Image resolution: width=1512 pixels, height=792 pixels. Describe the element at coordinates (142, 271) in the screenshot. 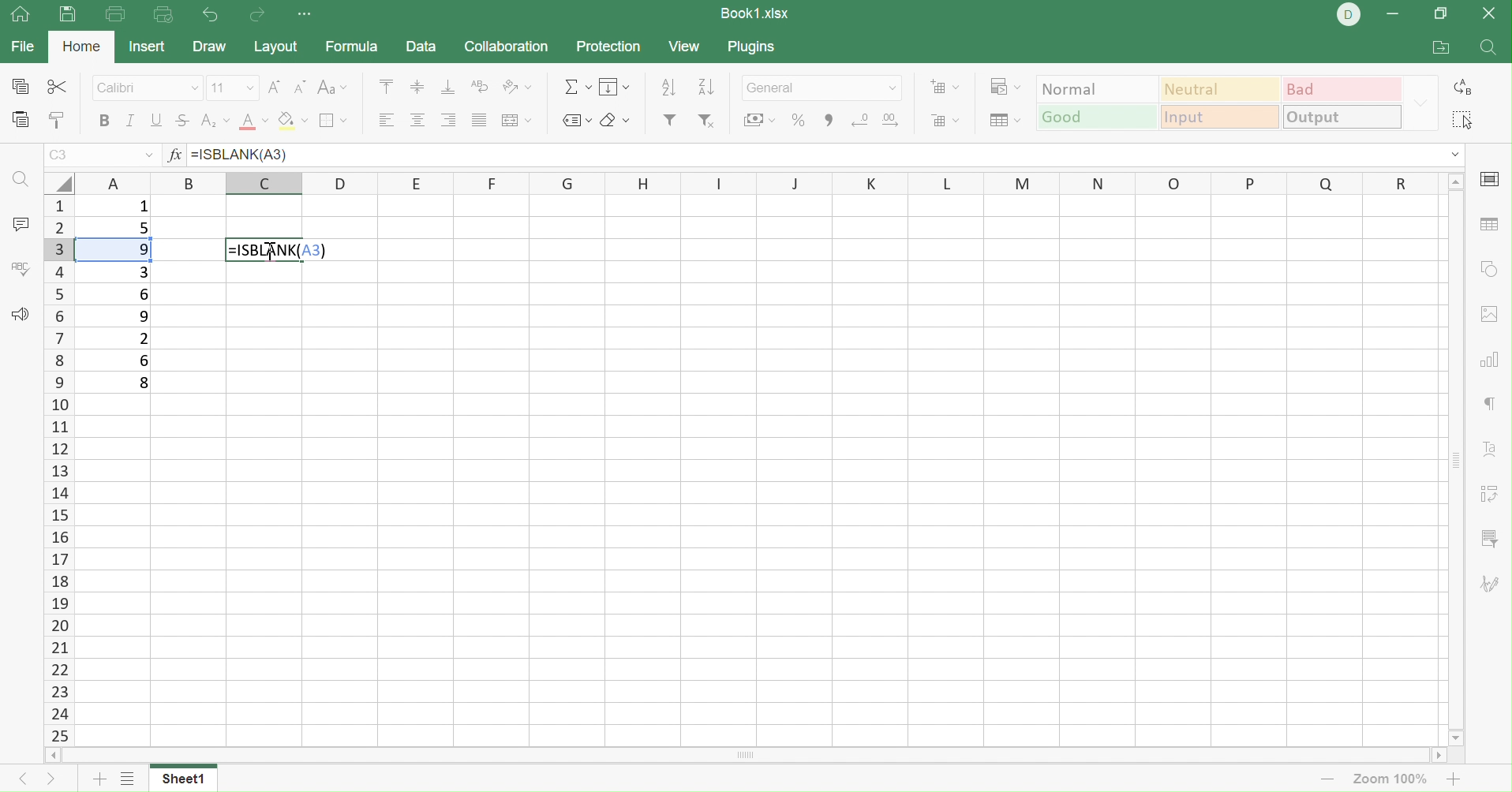

I see `3` at that location.